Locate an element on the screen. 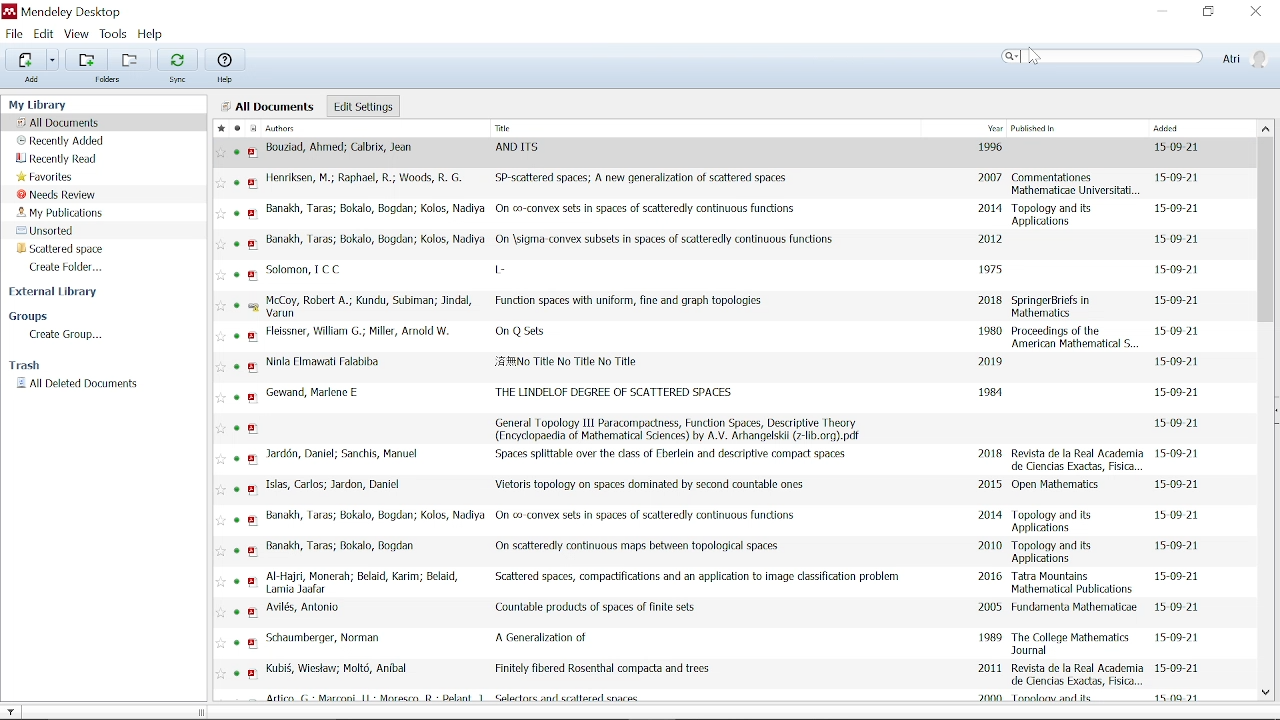 The height and width of the screenshot is (720, 1280). Banakh, Taras; Bokalo, Bogdan On scatteredly continuous maps between topological spaces. 2010 Topology and its Applications 15-09-21 is located at coordinates (726, 550).